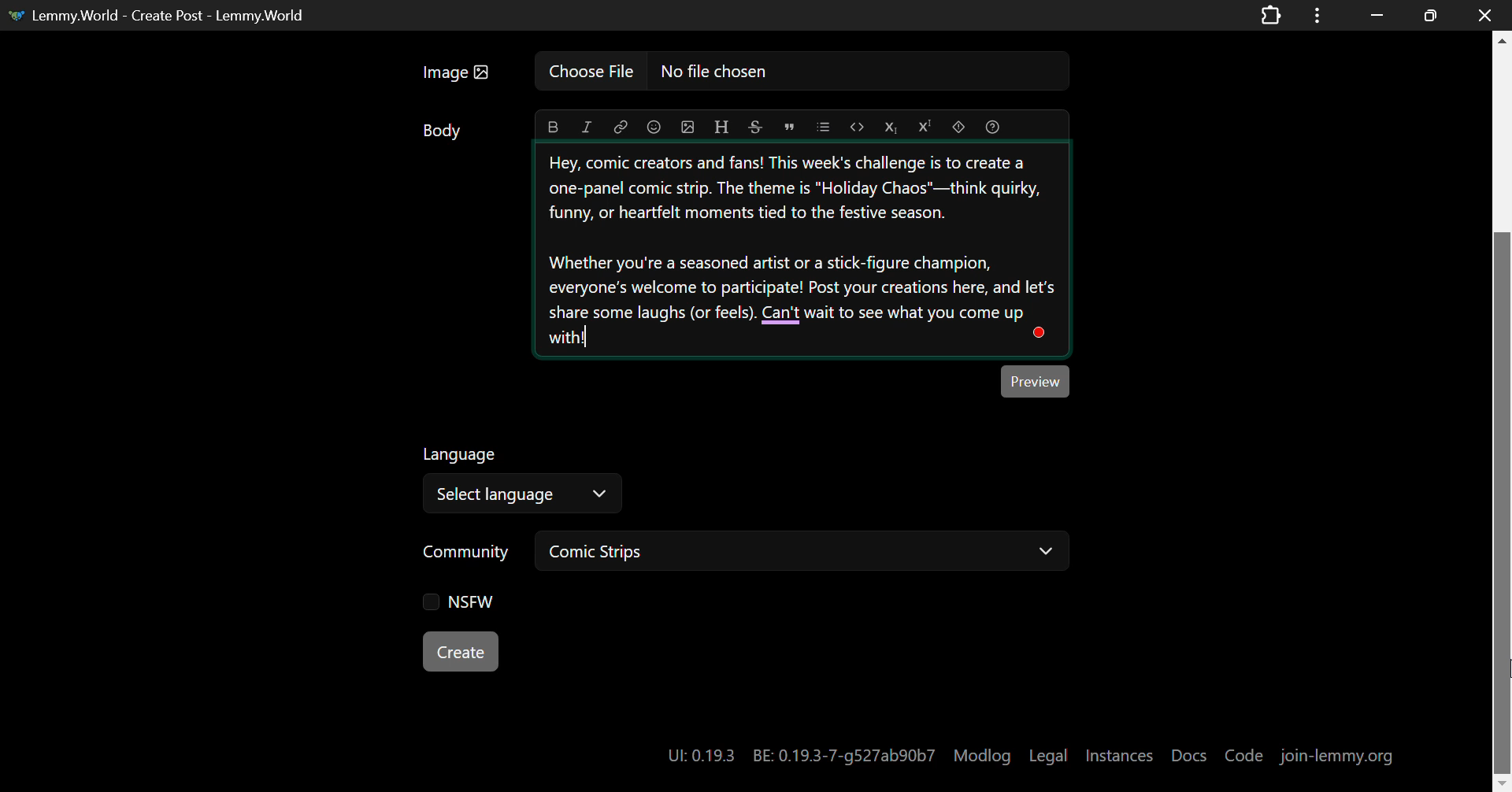  I want to click on Code, so click(1246, 754).